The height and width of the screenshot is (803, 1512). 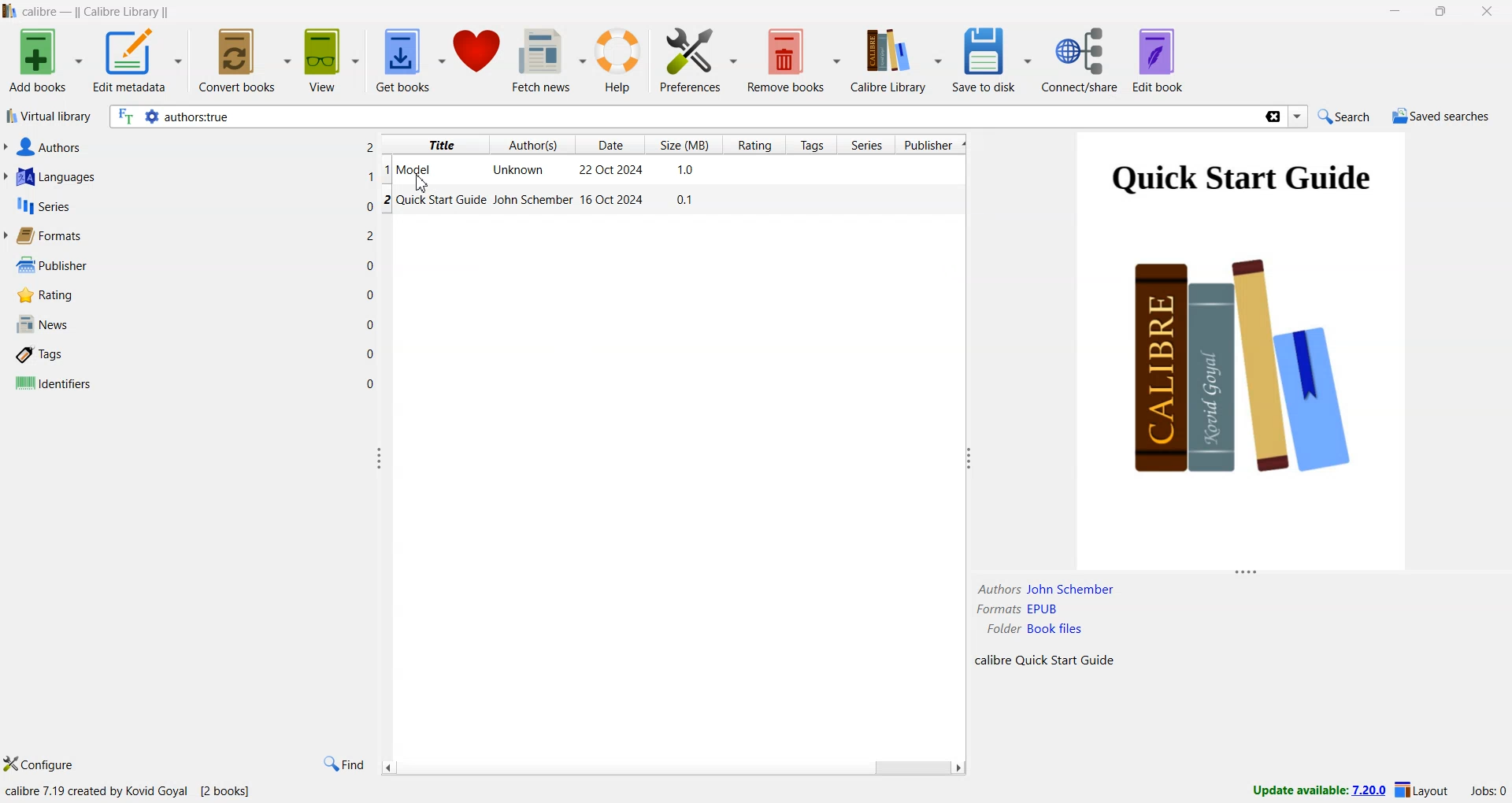 I want to click on authors, so click(x=535, y=145).